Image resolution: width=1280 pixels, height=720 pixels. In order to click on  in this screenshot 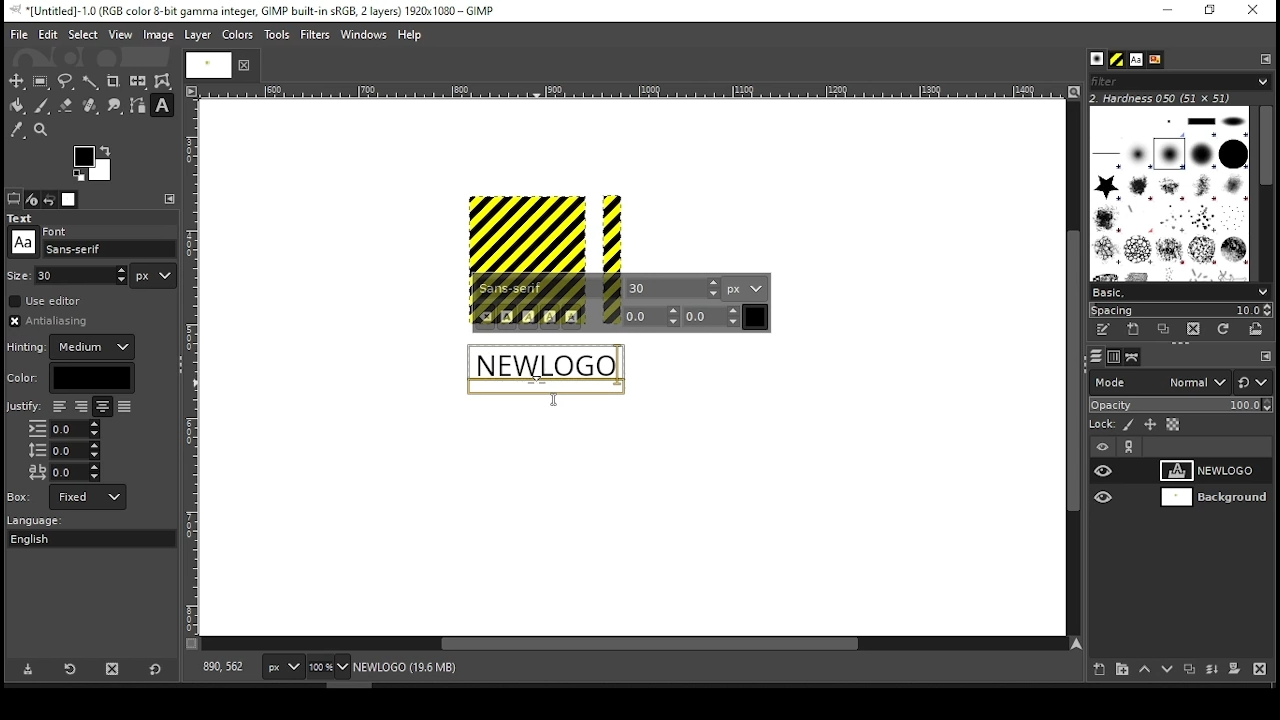, I will do `click(205, 64)`.